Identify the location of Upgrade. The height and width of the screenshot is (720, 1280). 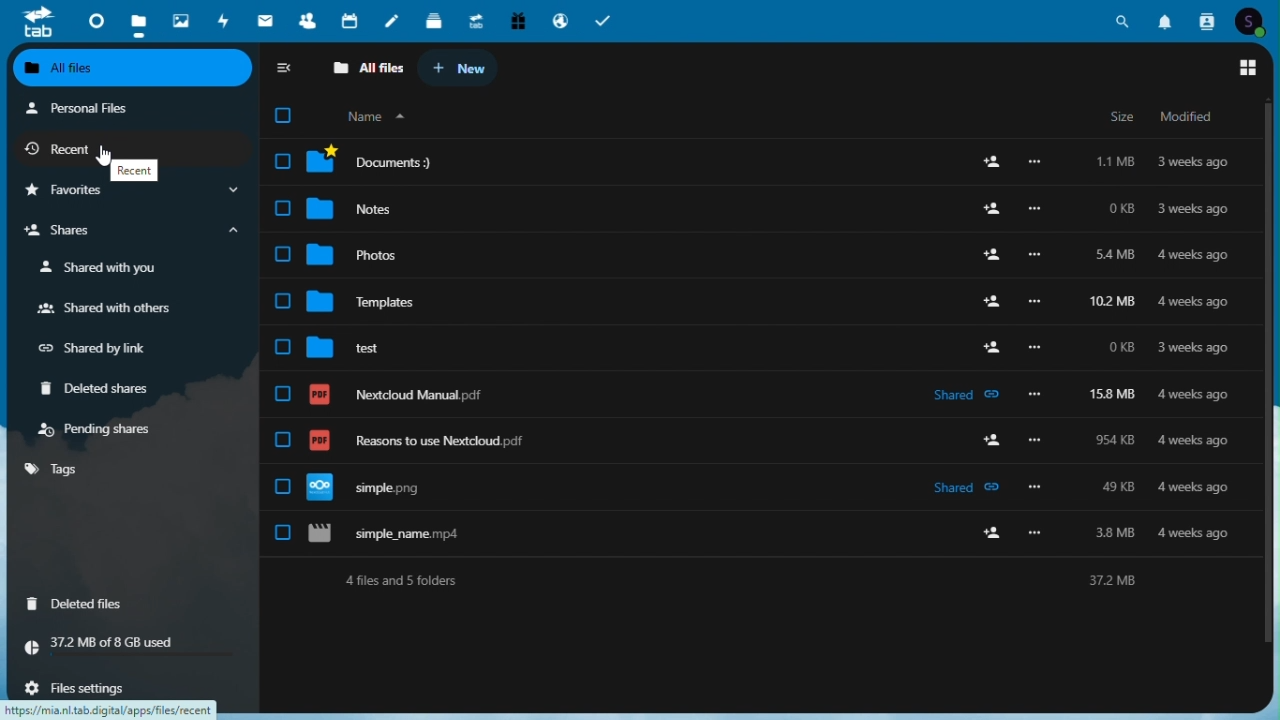
(475, 22).